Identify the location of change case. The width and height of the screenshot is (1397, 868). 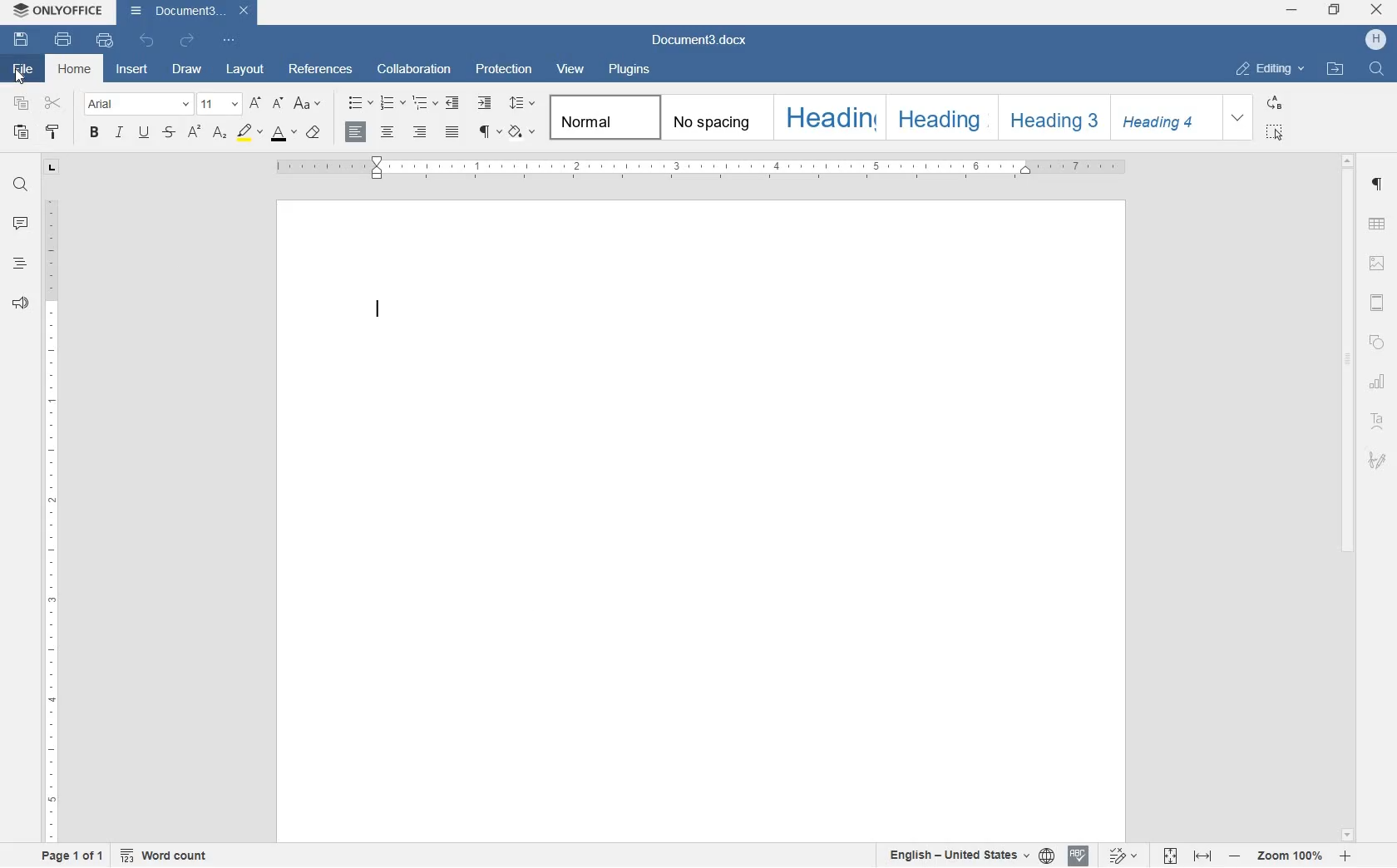
(310, 102).